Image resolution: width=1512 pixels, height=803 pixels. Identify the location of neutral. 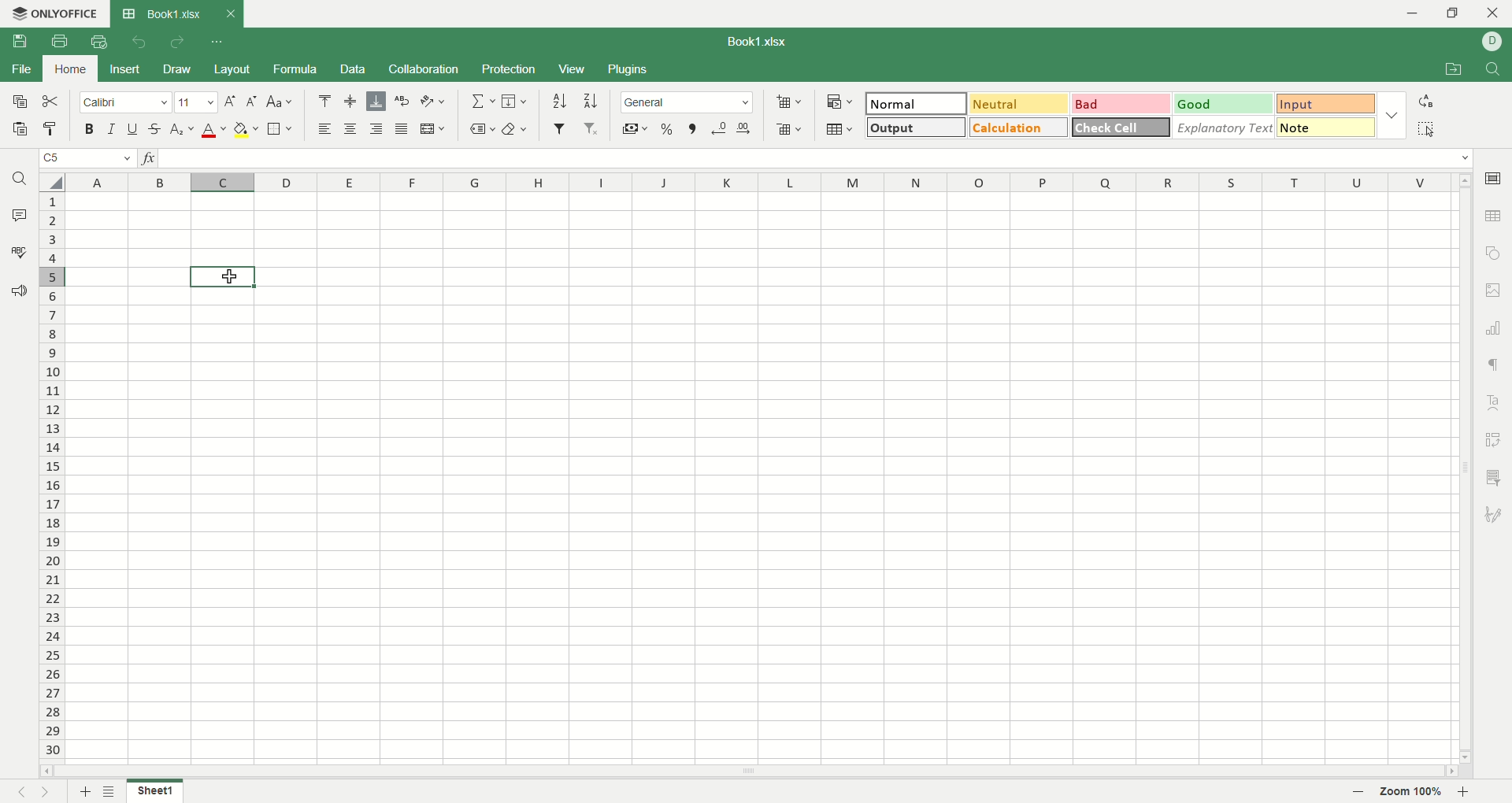
(1018, 102).